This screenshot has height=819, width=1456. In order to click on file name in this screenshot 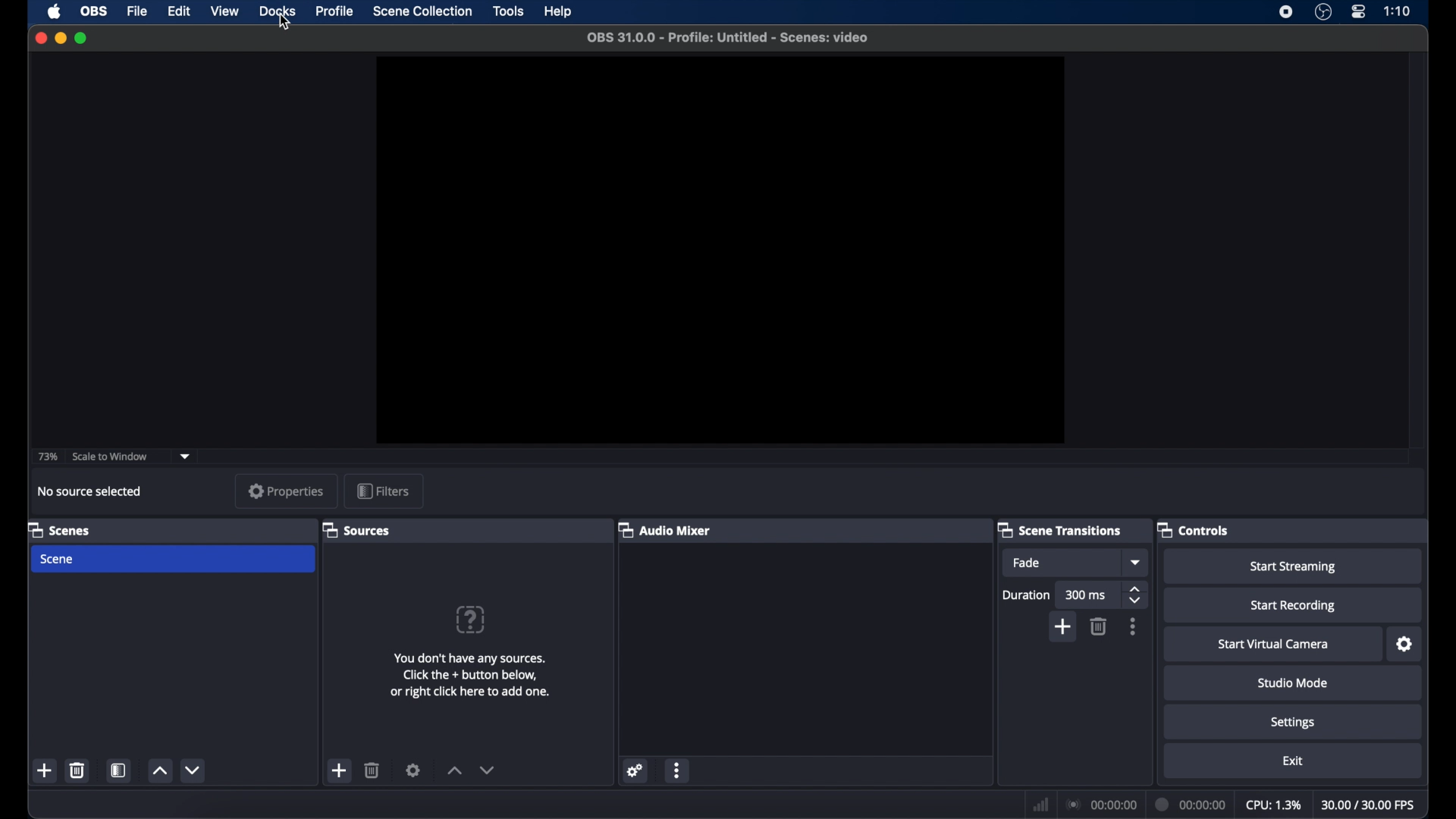, I will do `click(730, 38)`.